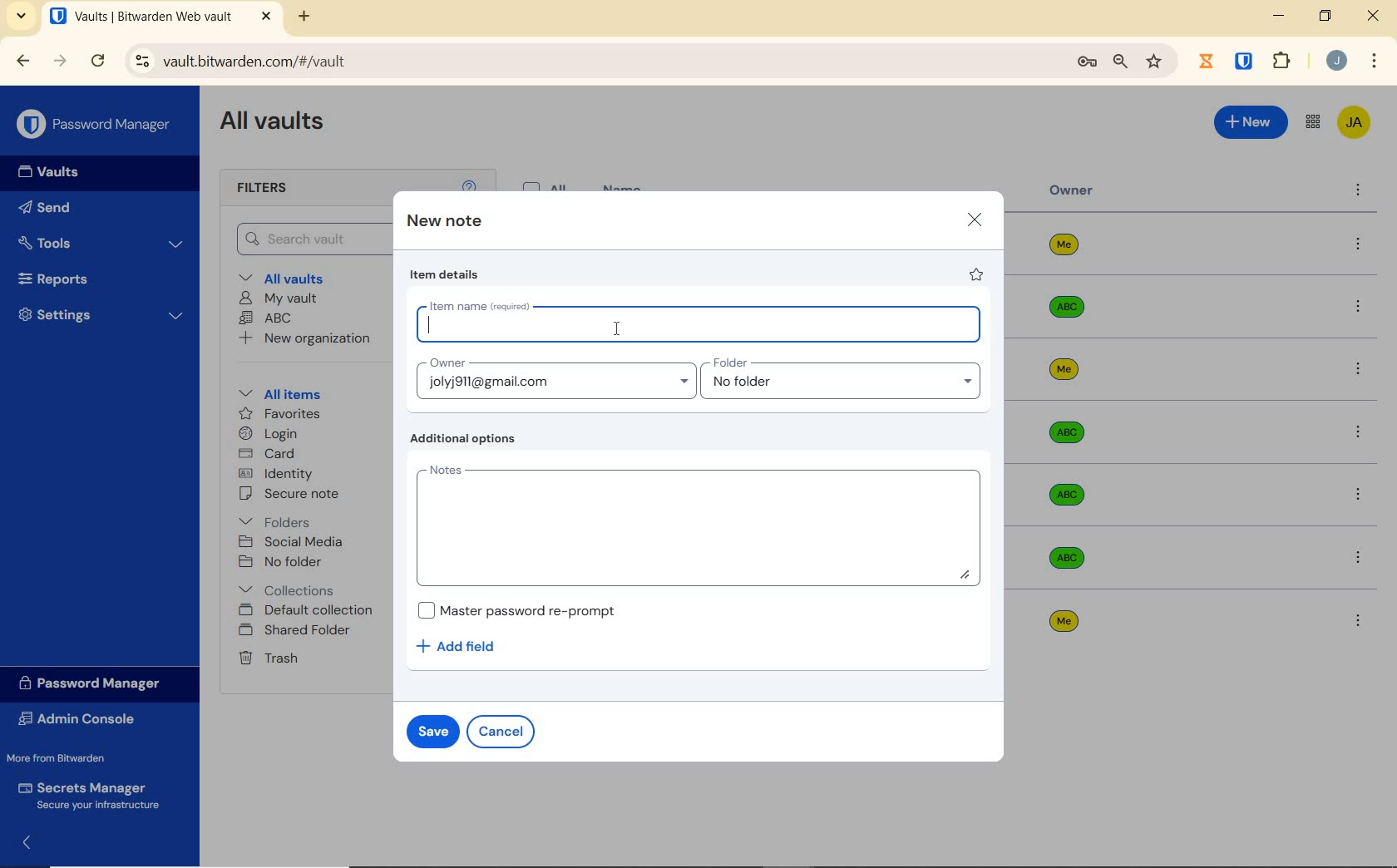  What do you see at coordinates (975, 219) in the screenshot?
I see `close` at bounding box center [975, 219].